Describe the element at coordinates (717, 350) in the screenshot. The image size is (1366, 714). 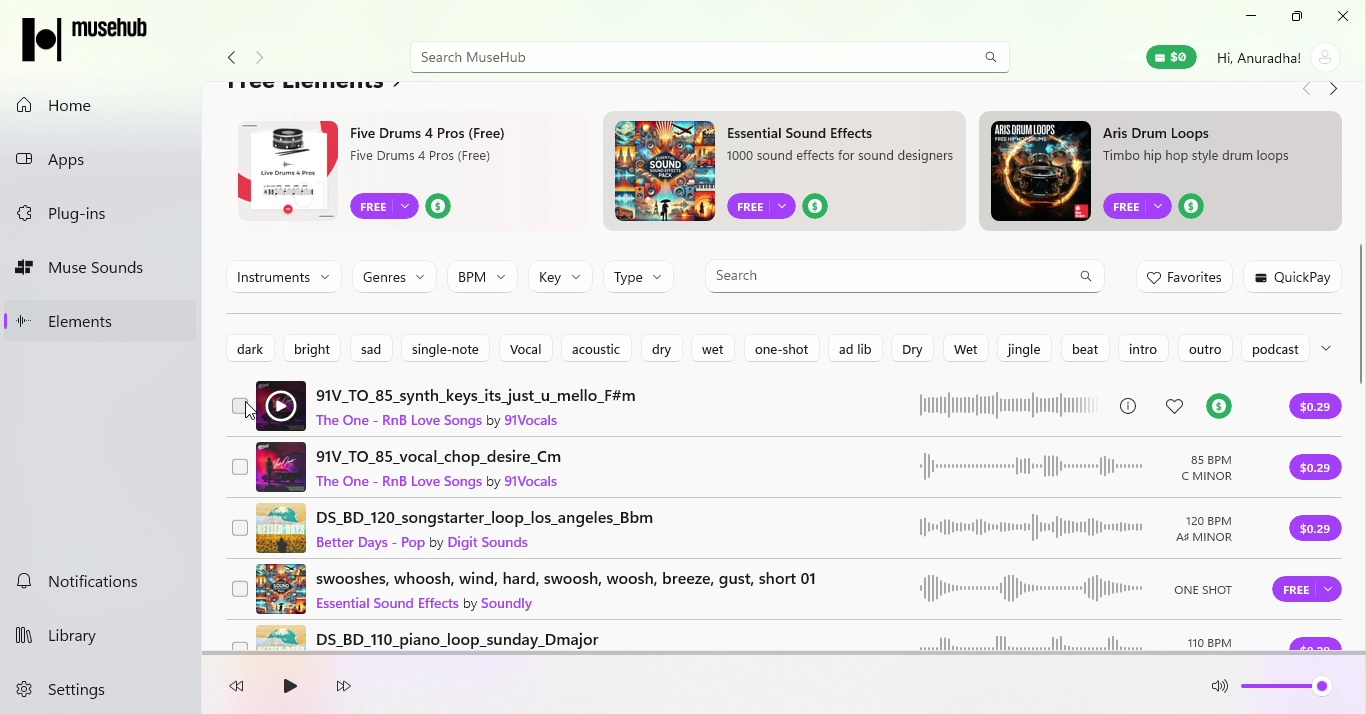
I see `Wet` at that location.